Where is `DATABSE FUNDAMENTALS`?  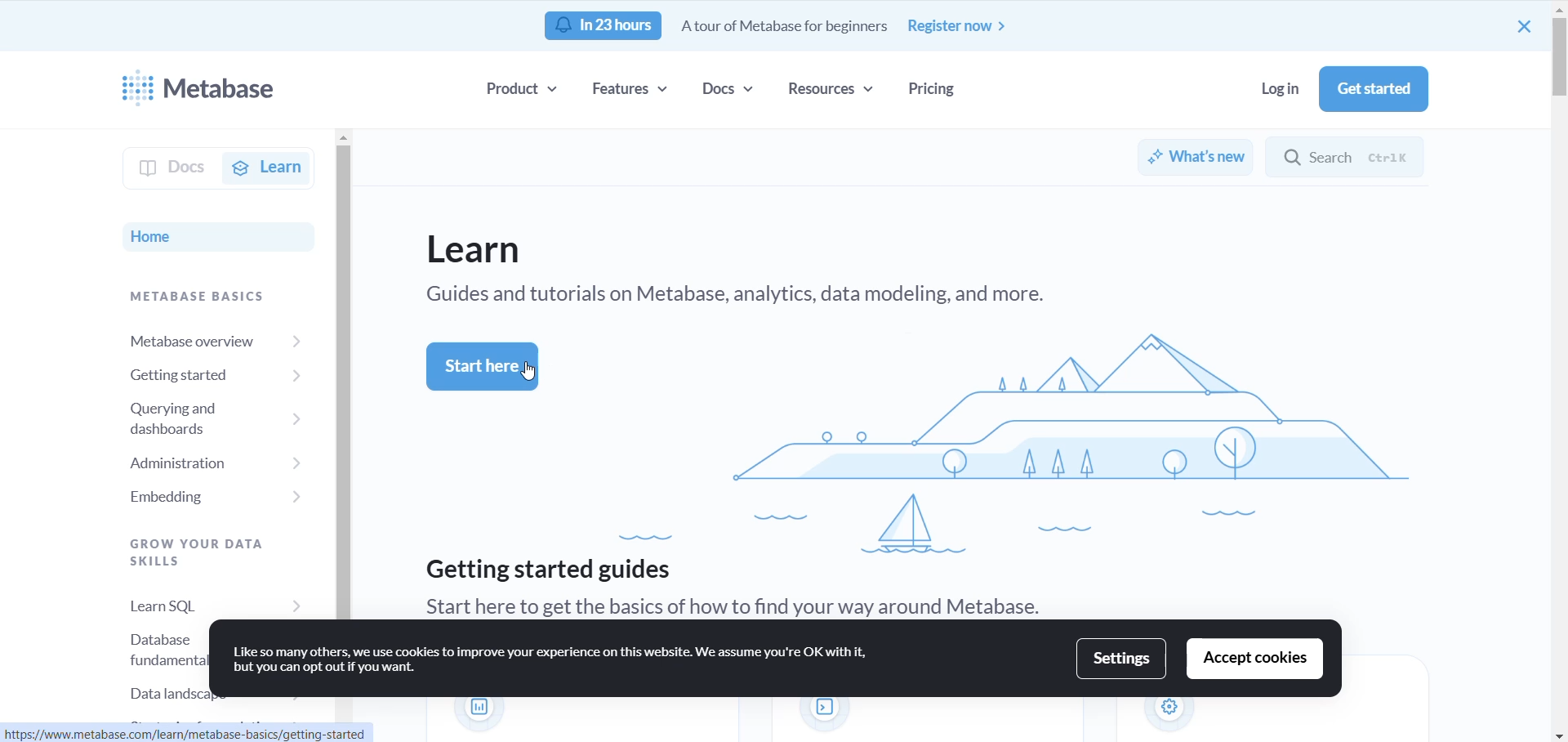 DATABSE FUNDAMENTALS is located at coordinates (140, 645).